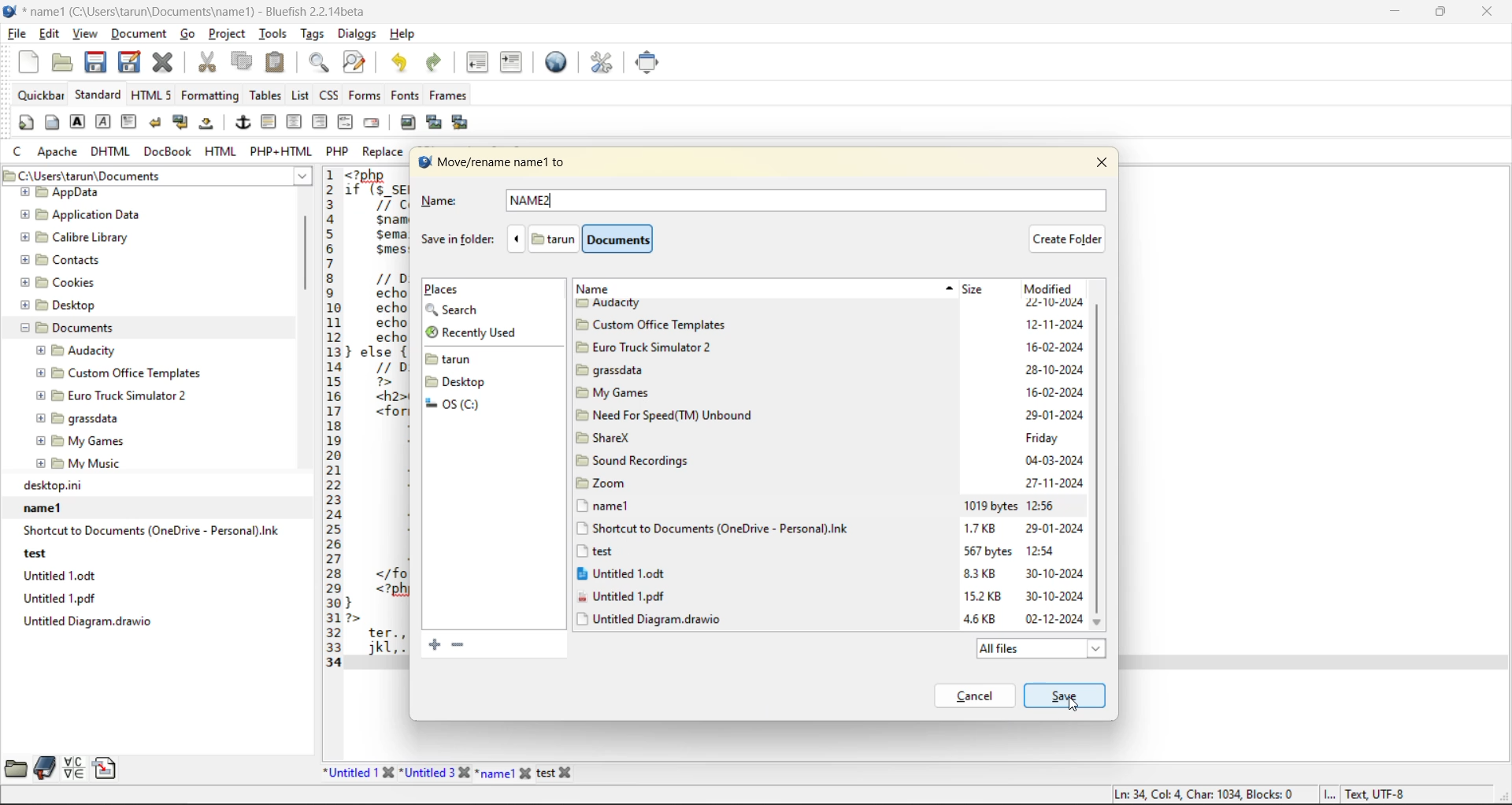  I want to click on new name, so click(542, 201).